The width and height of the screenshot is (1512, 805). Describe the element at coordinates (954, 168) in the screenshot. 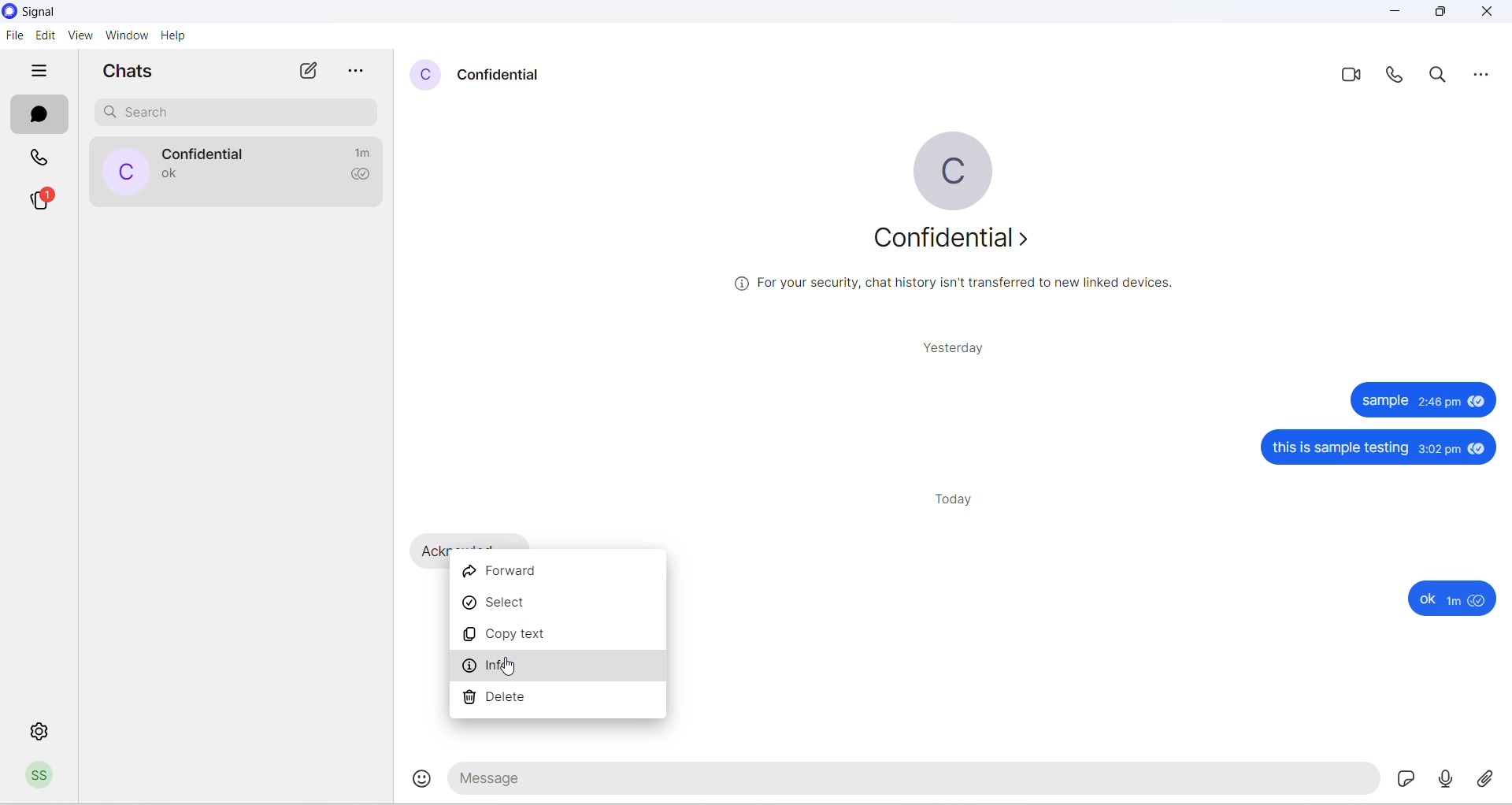

I see `profile picture` at that location.